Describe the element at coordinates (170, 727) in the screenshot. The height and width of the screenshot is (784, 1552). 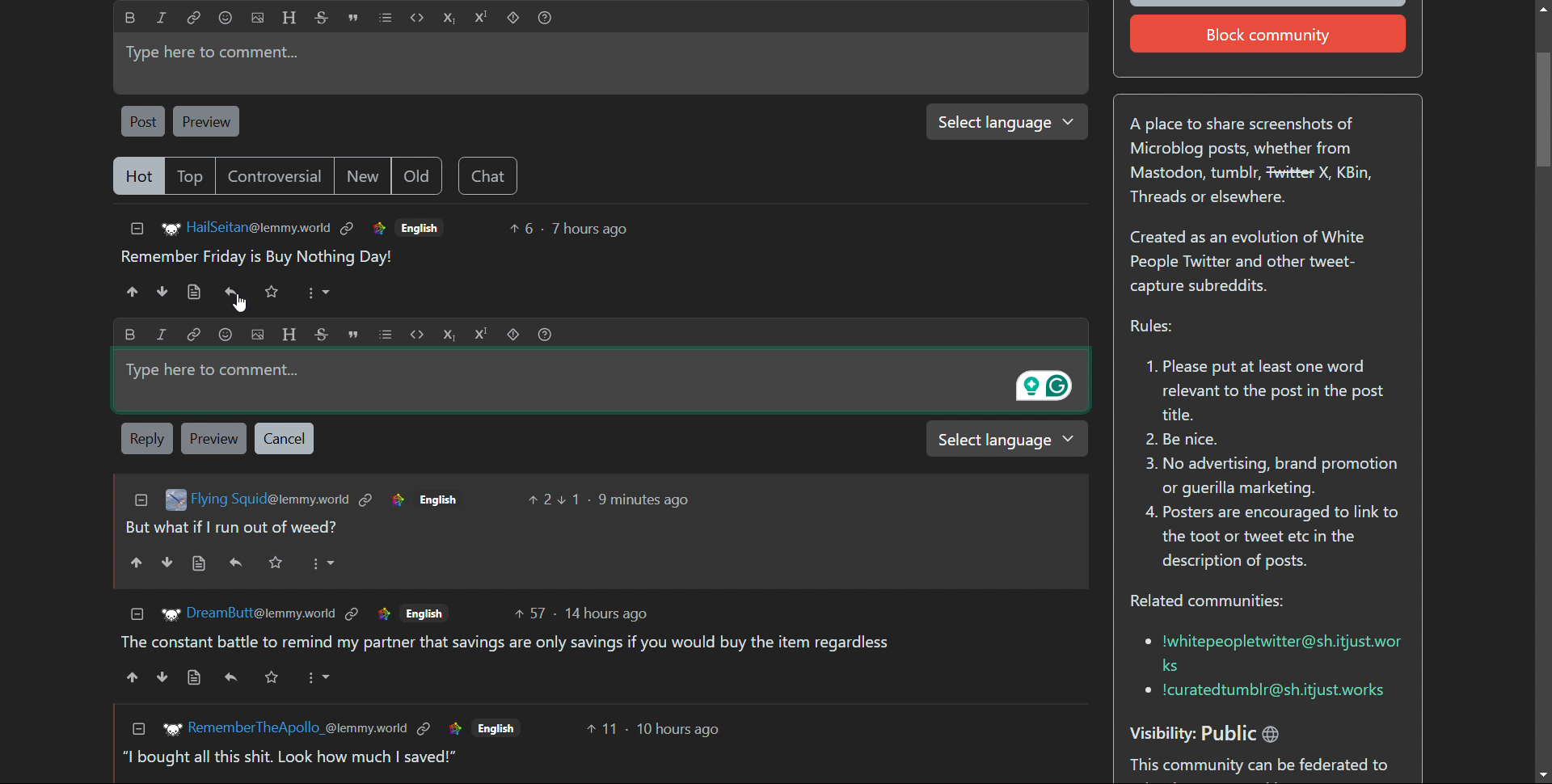
I see `image` at that location.